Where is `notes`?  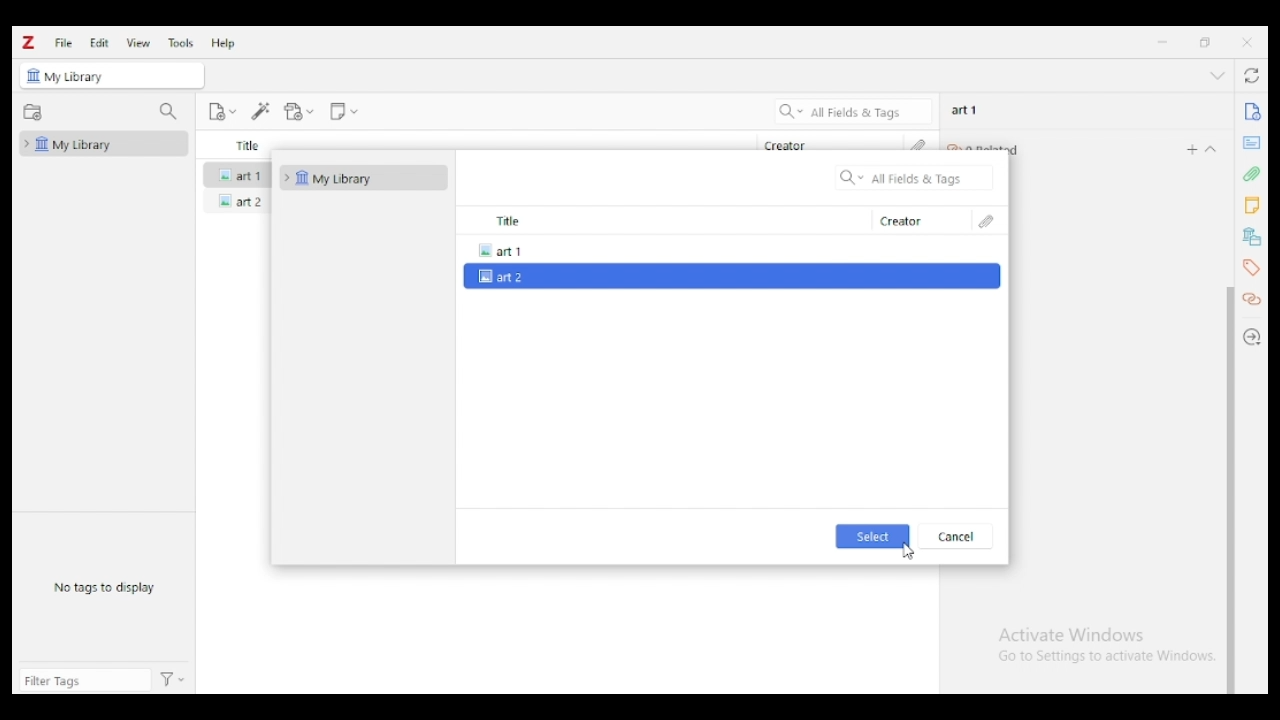 notes is located at coordinates (1251, 206).